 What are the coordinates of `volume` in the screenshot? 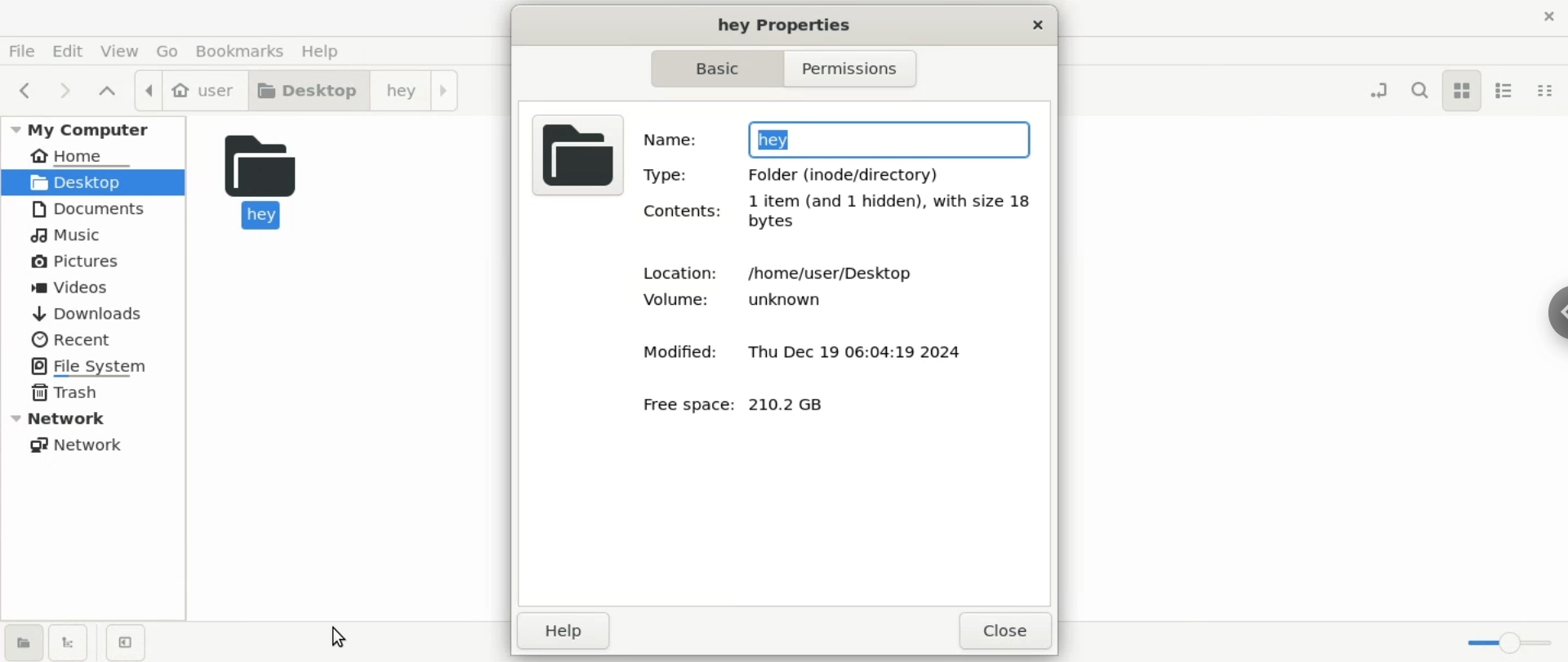 It's located at (674, 302).